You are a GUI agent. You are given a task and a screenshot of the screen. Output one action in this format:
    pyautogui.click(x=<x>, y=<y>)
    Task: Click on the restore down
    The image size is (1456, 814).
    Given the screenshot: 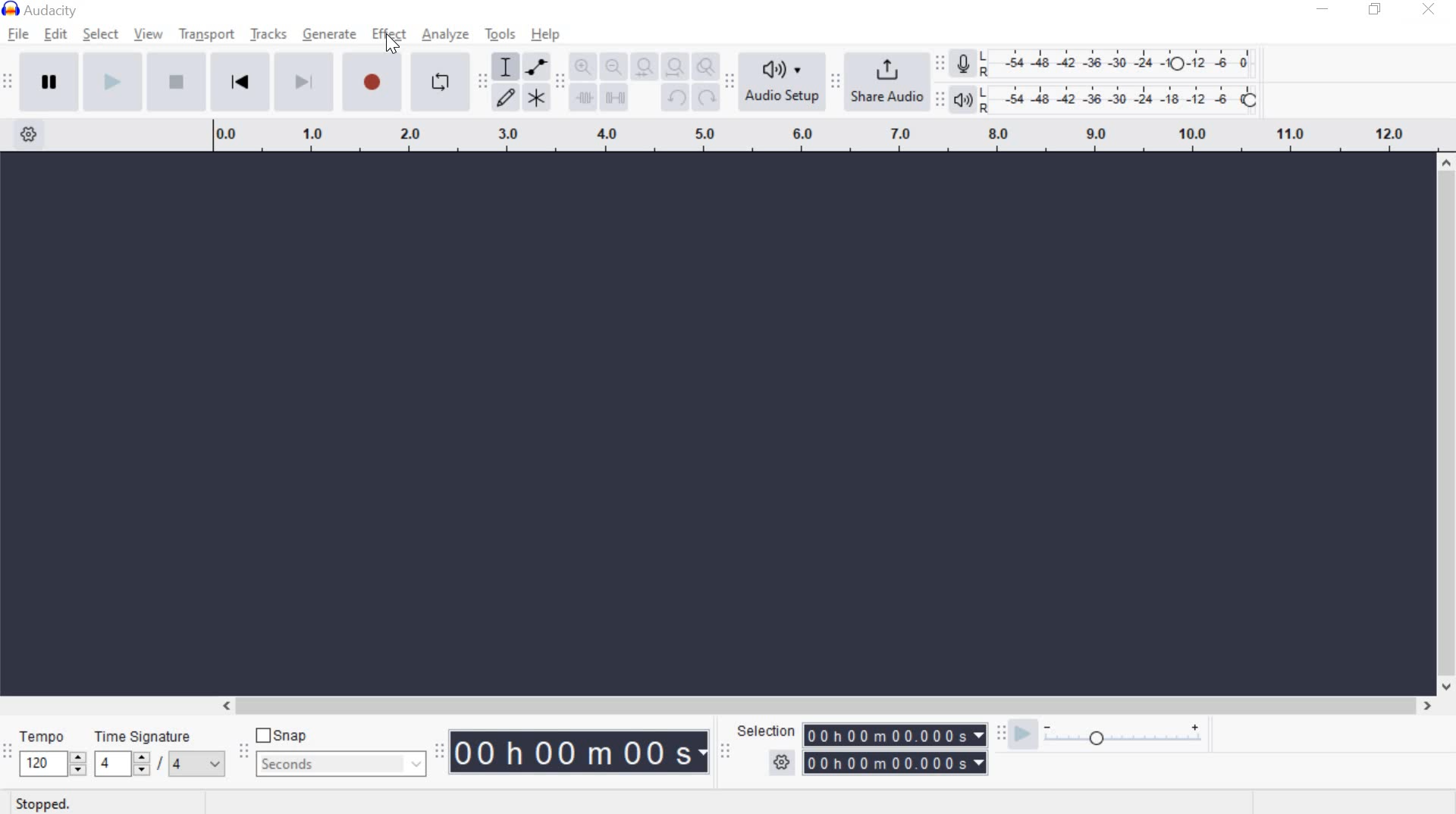 What is the action you would take?
    pyautogui.click(x=1373, y=8)
    